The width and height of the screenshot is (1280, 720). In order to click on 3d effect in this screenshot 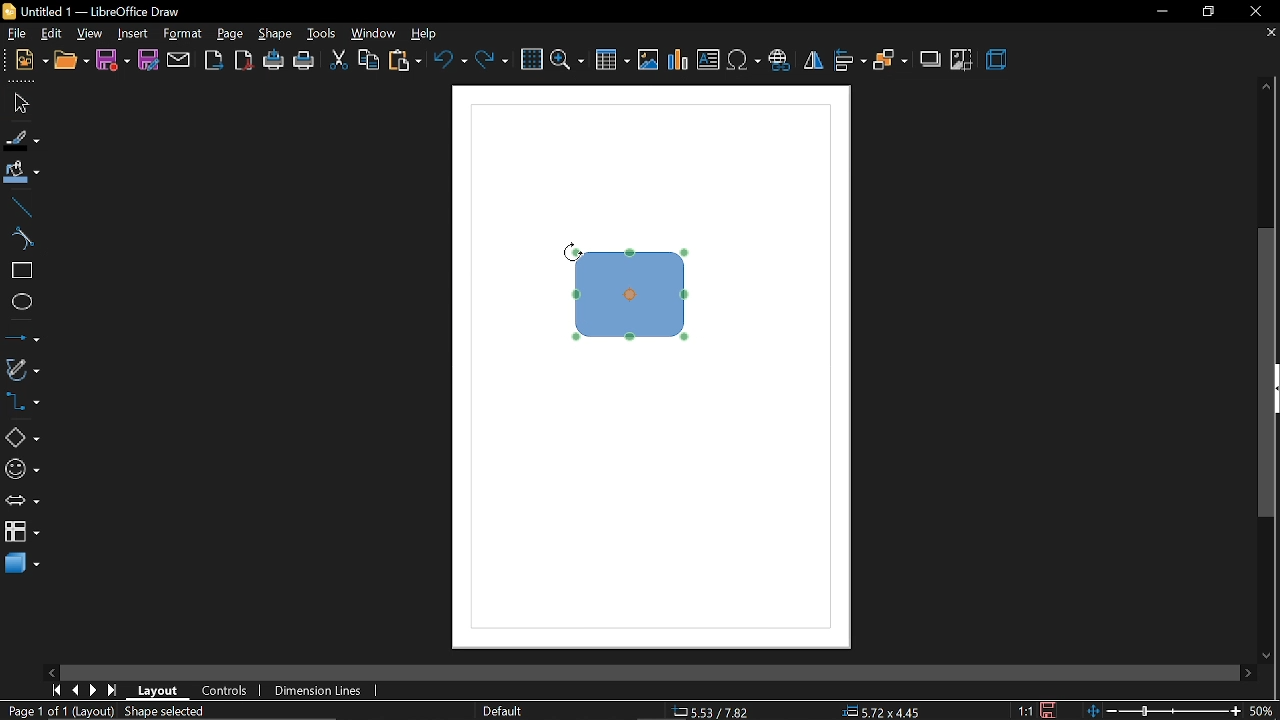, I will do `click(1000, 60)`.